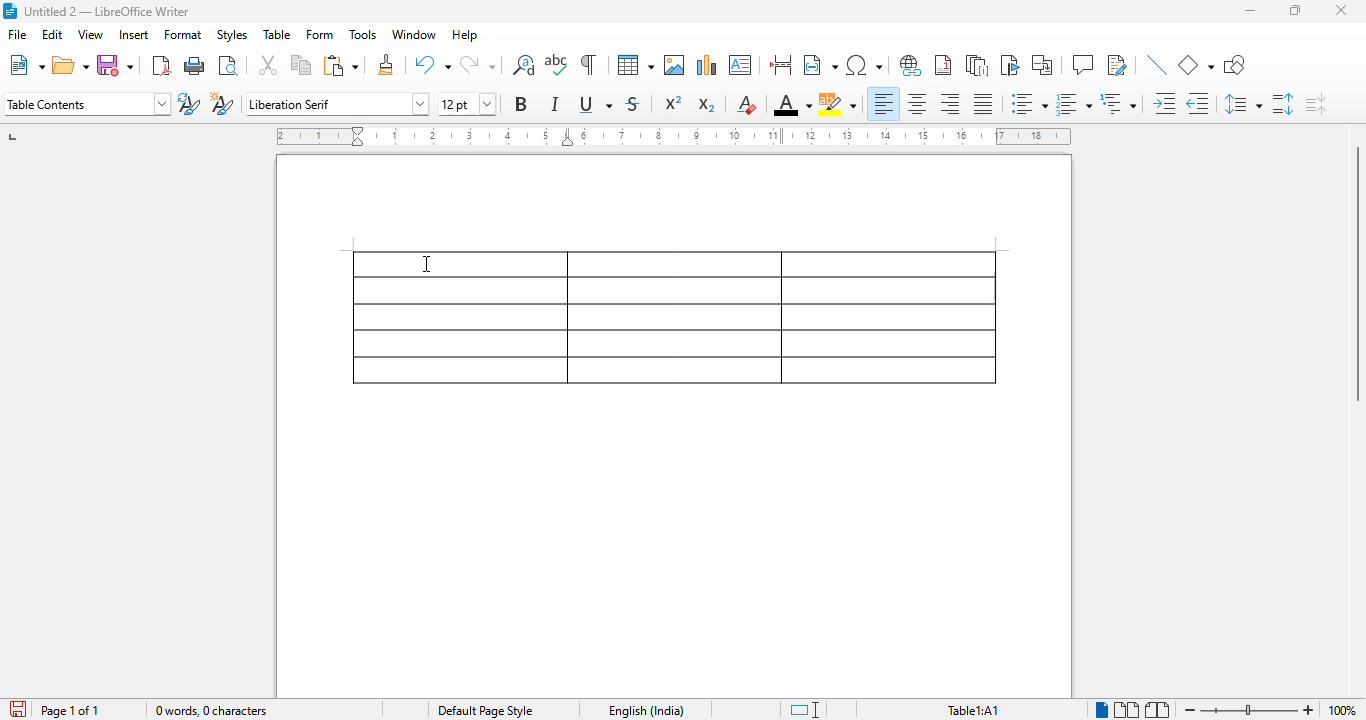  I want to click on logo, so click(10, 11).